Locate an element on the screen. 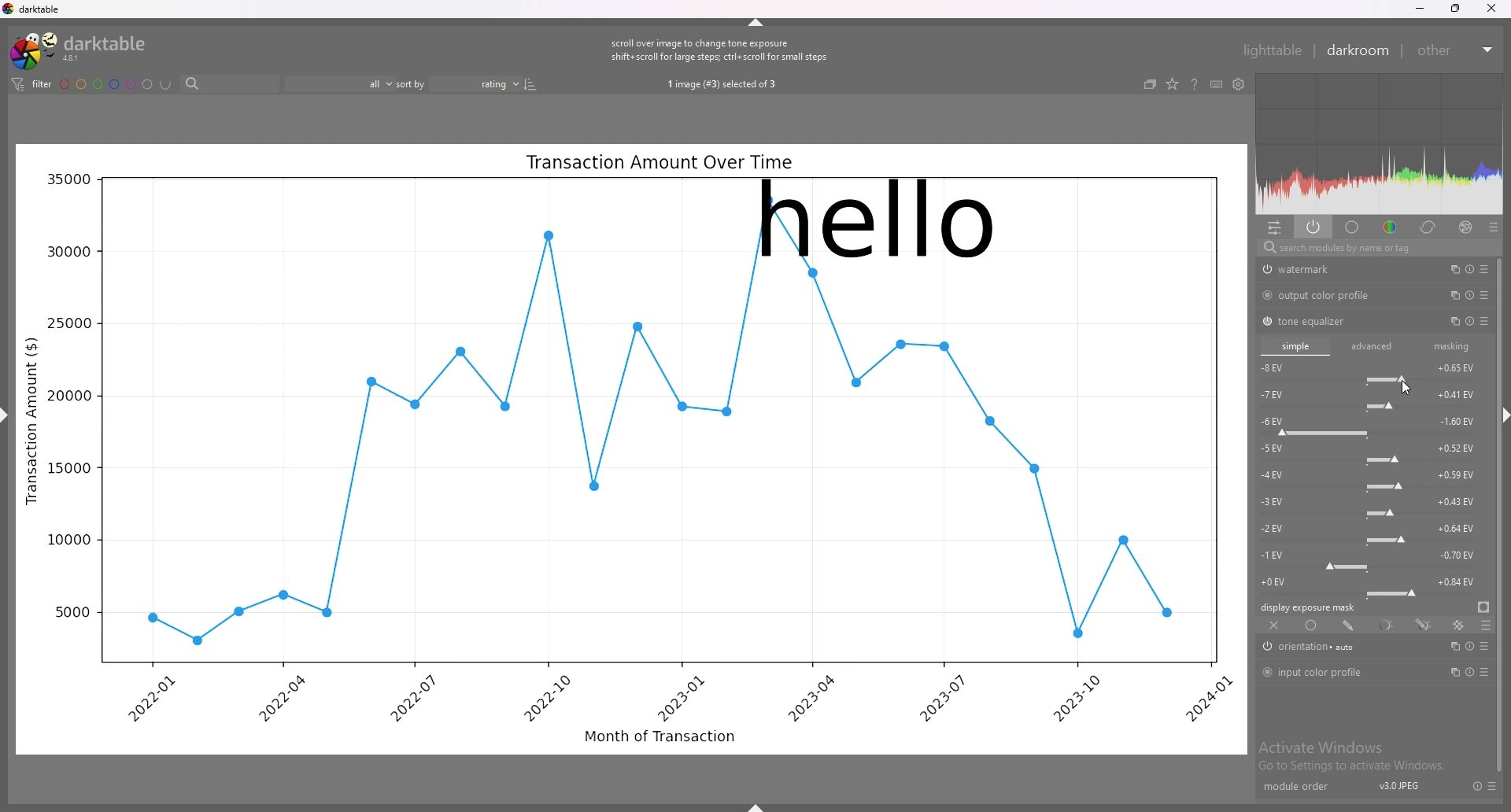  module order is located at coordinates (1299, 787).